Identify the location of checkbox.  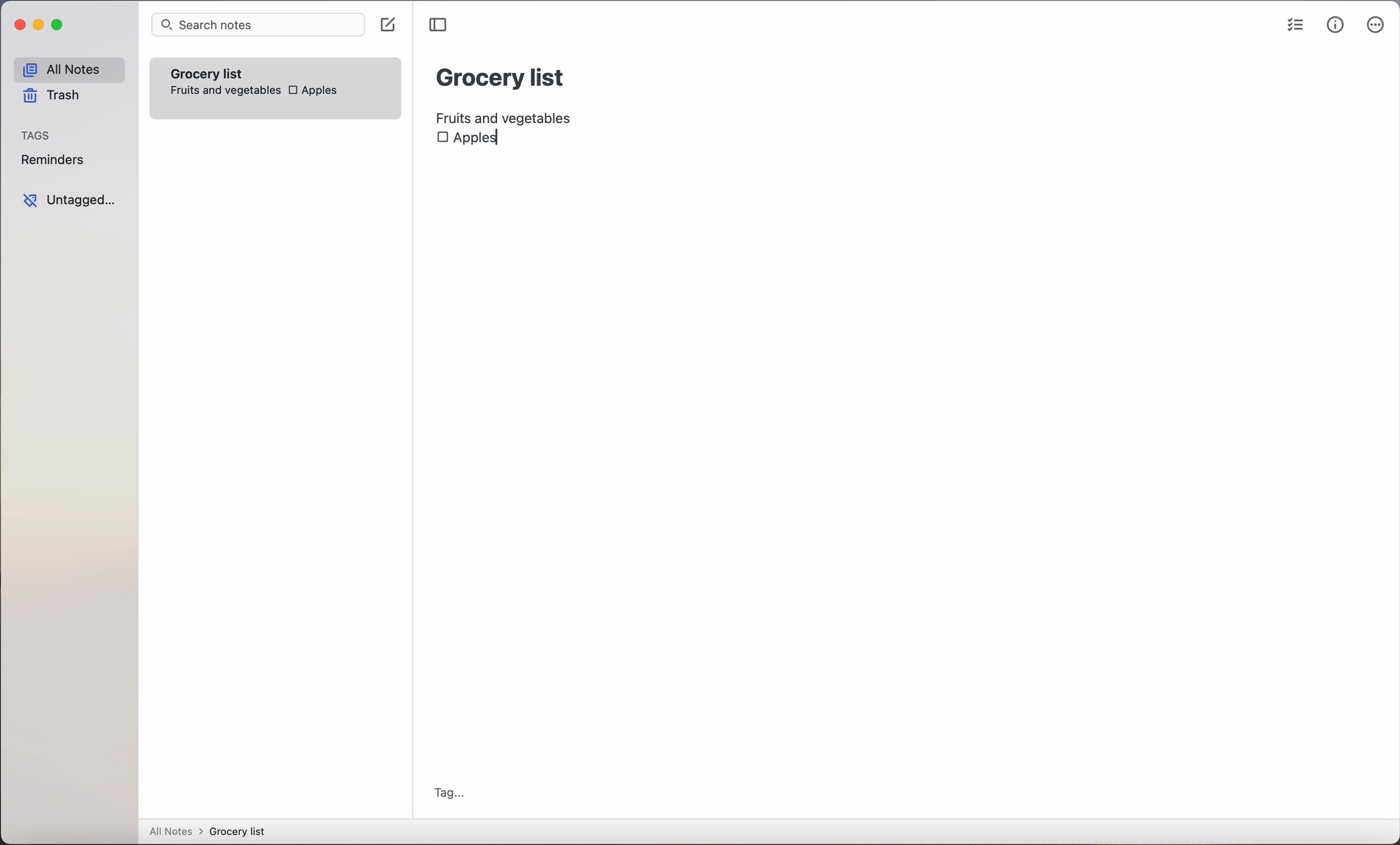
(292, 89).